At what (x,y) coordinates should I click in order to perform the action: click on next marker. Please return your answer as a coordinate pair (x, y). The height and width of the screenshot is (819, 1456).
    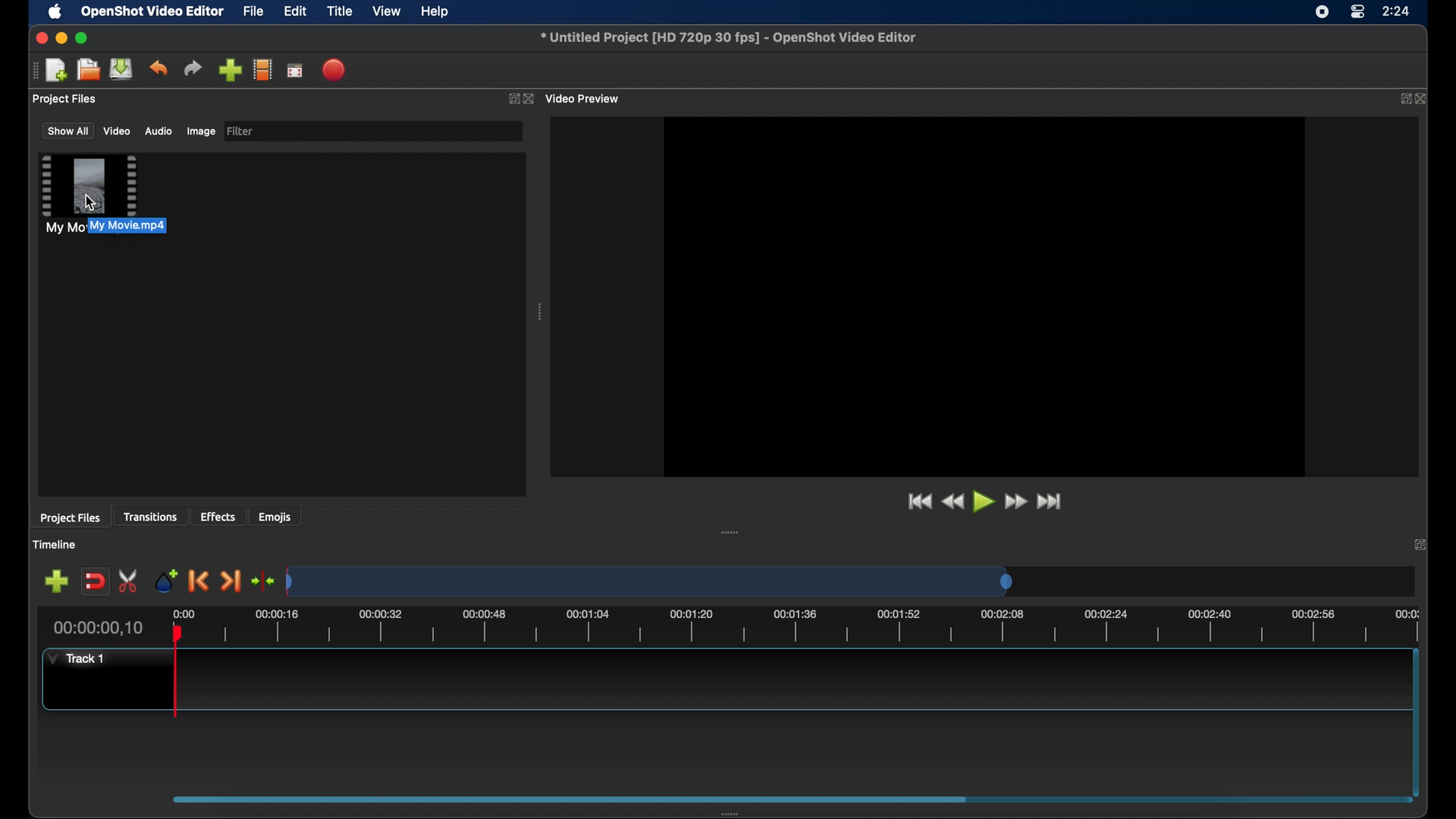
    Looking at the image, I should click on (231, 581).